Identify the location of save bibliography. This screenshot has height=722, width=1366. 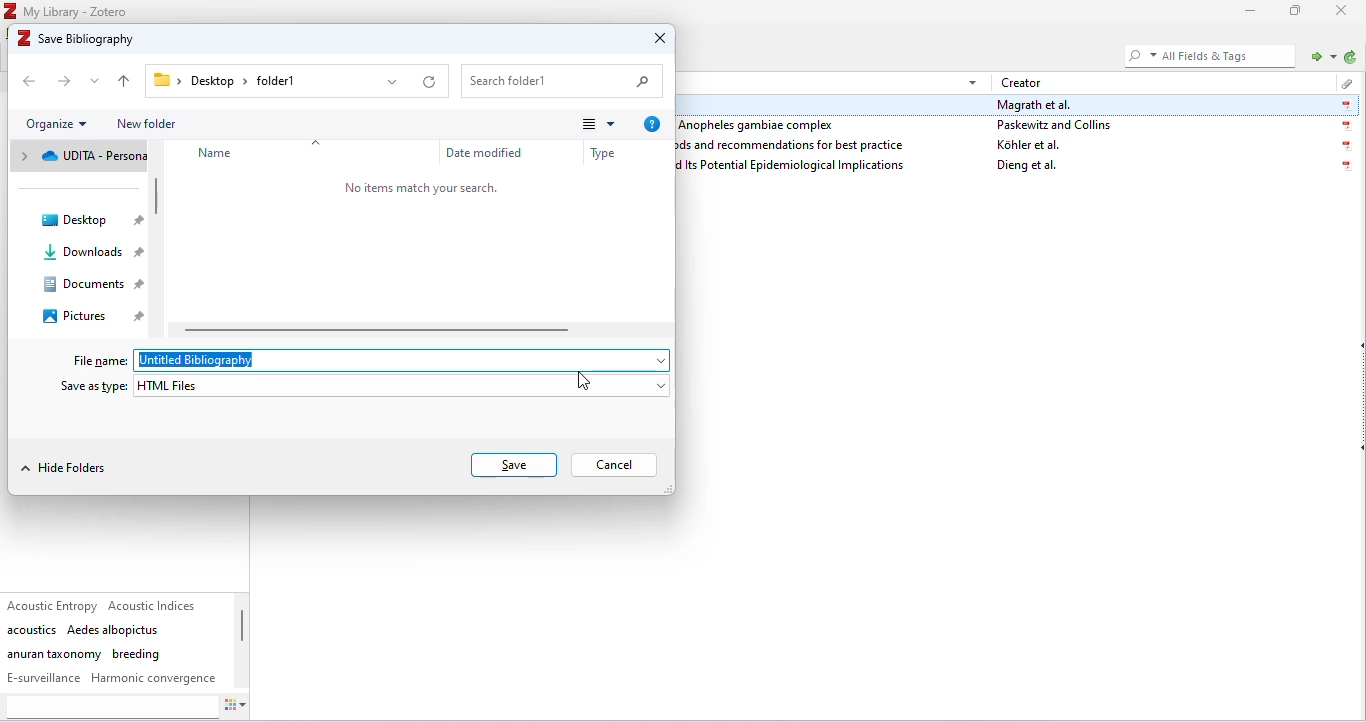
(80, 37).